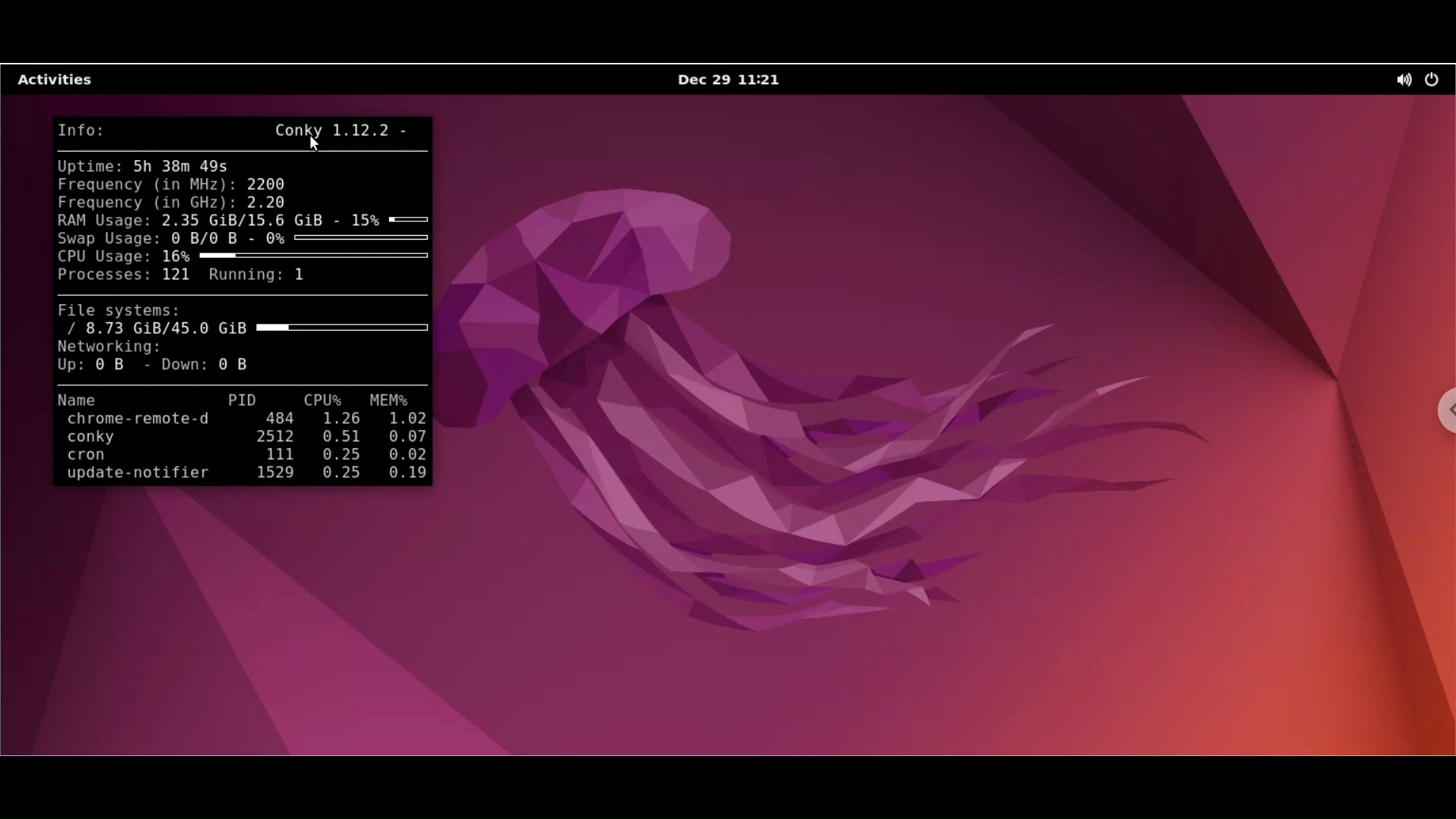 The height and width of the screenshot is (819, 1456). I want to click on Activities, so click(63, 82).